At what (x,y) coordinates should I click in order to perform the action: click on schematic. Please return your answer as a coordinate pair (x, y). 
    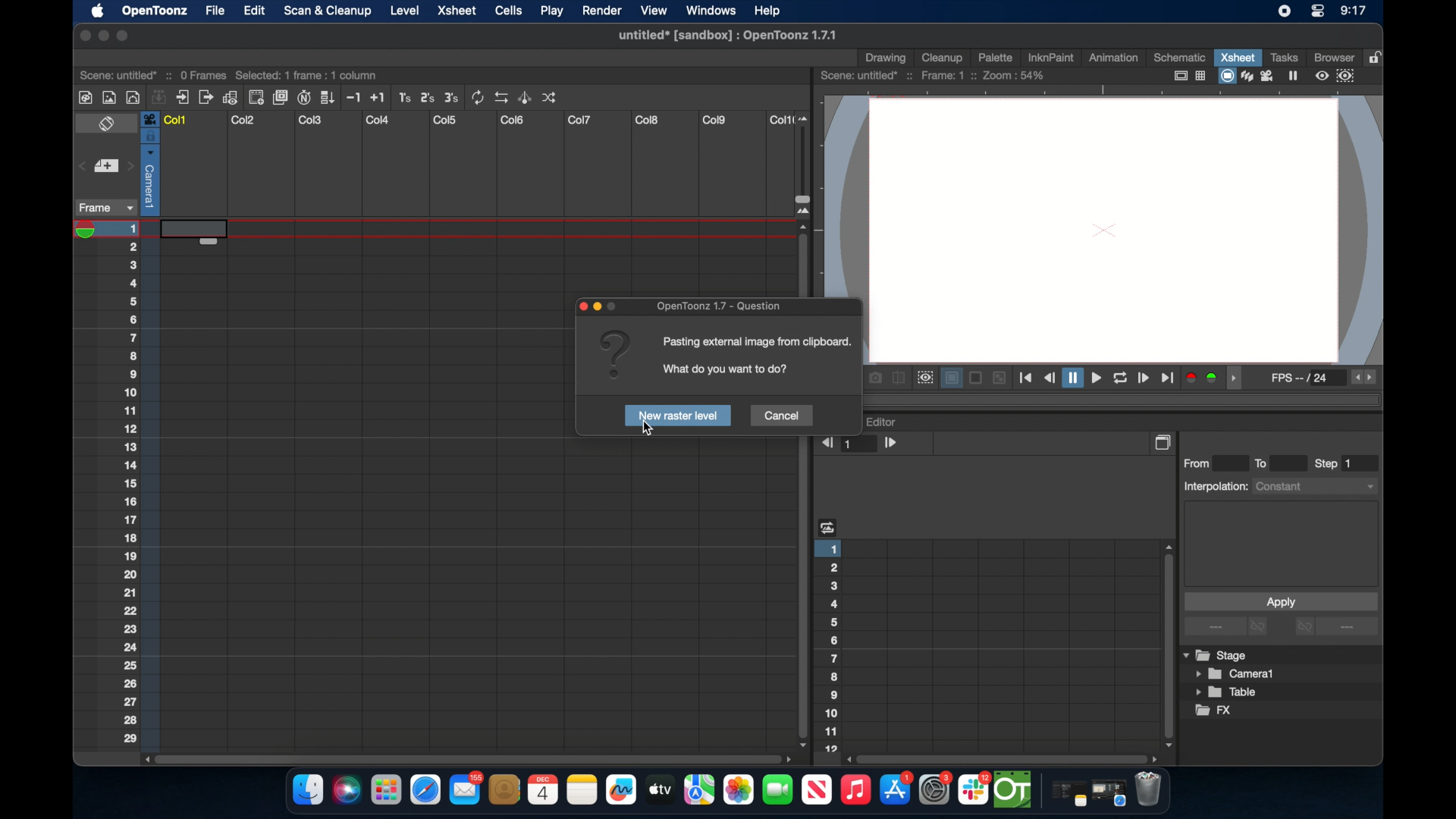
    Looking at the image, I should click on (1180, 57).